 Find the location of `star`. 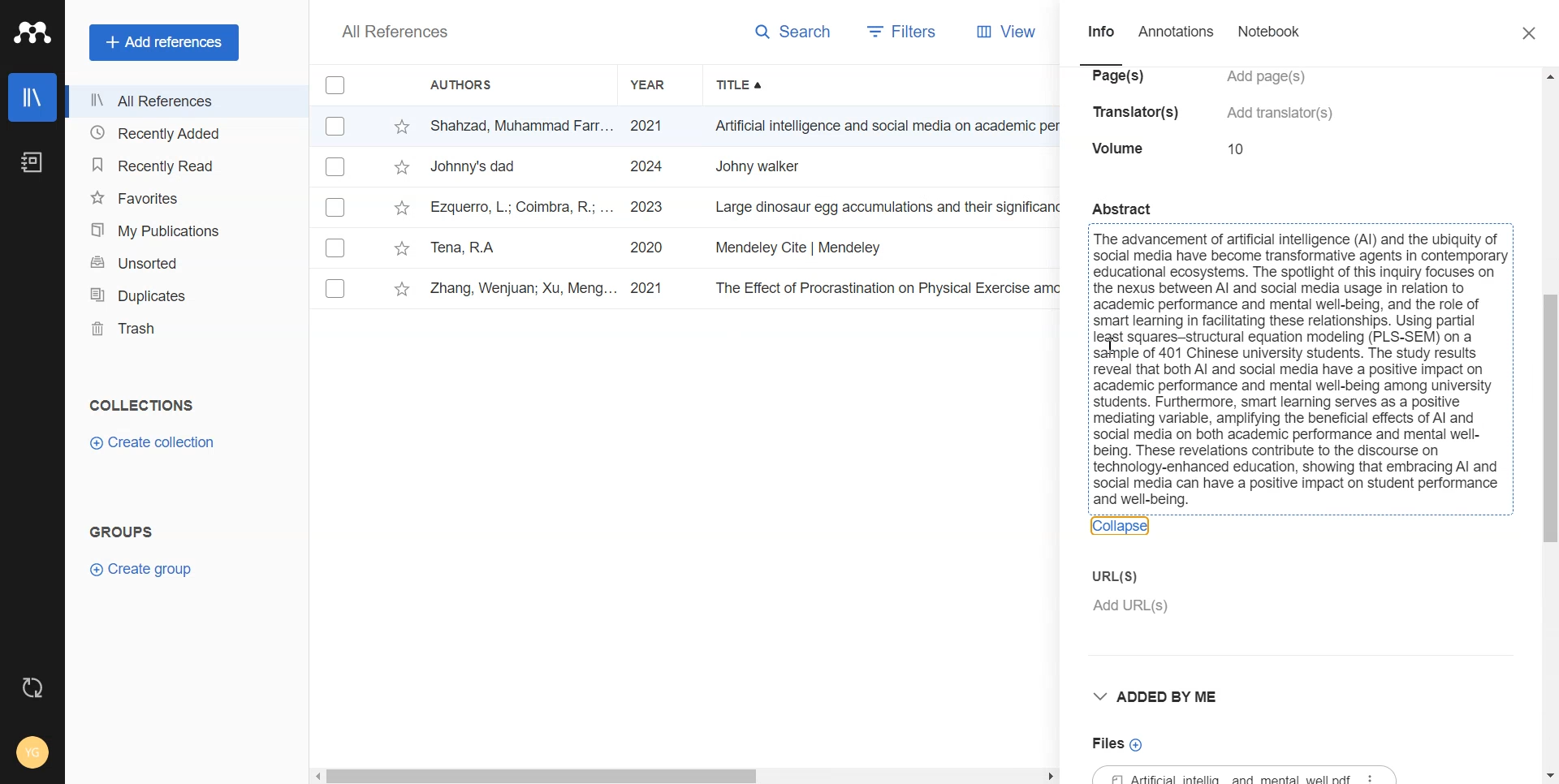

star is located at coordinates (402, 166).